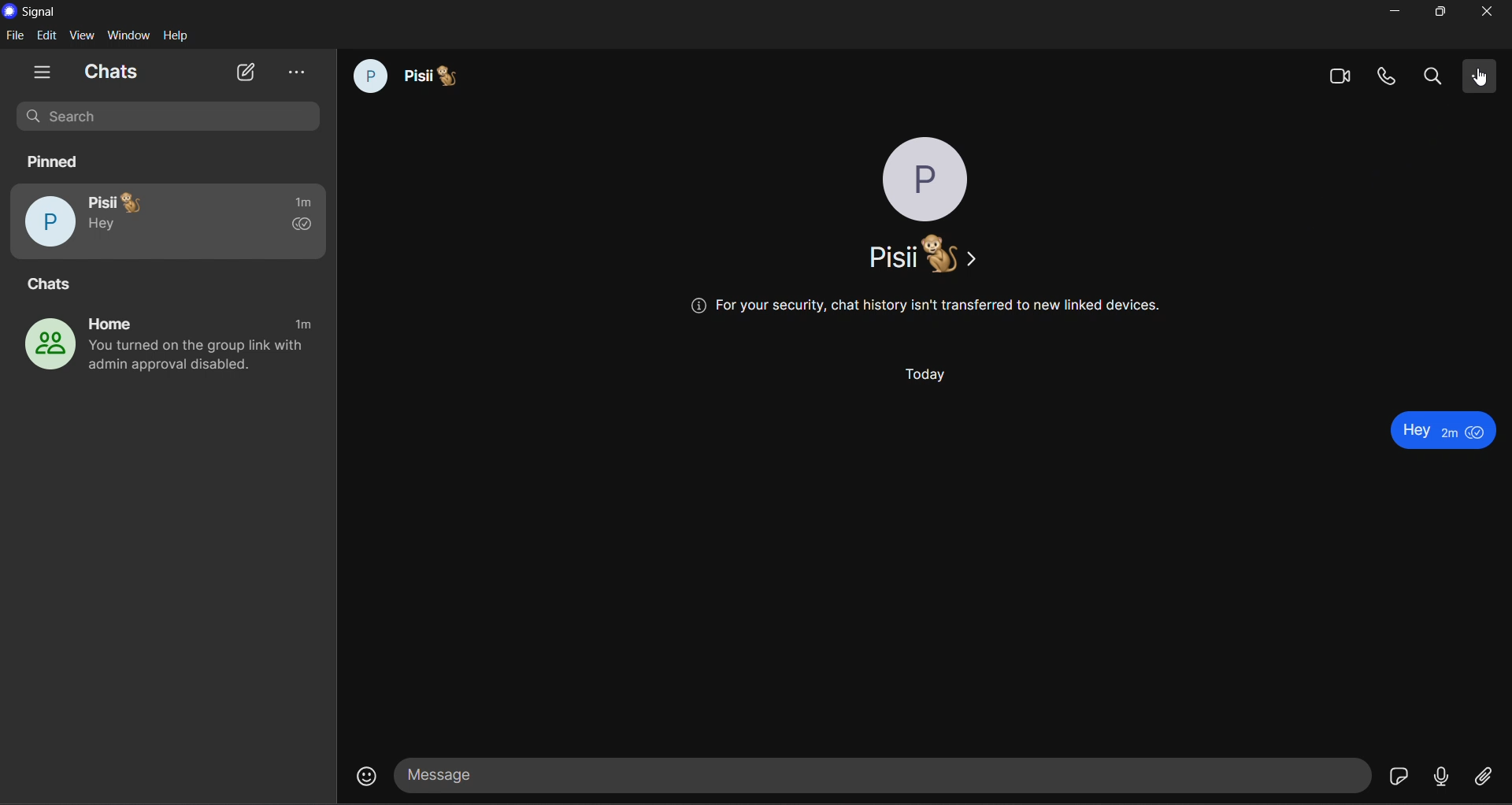  What do you see at coordinates (409, 79) in the screenshot?
I see `pisii chat` at bounding box center [409, 79].